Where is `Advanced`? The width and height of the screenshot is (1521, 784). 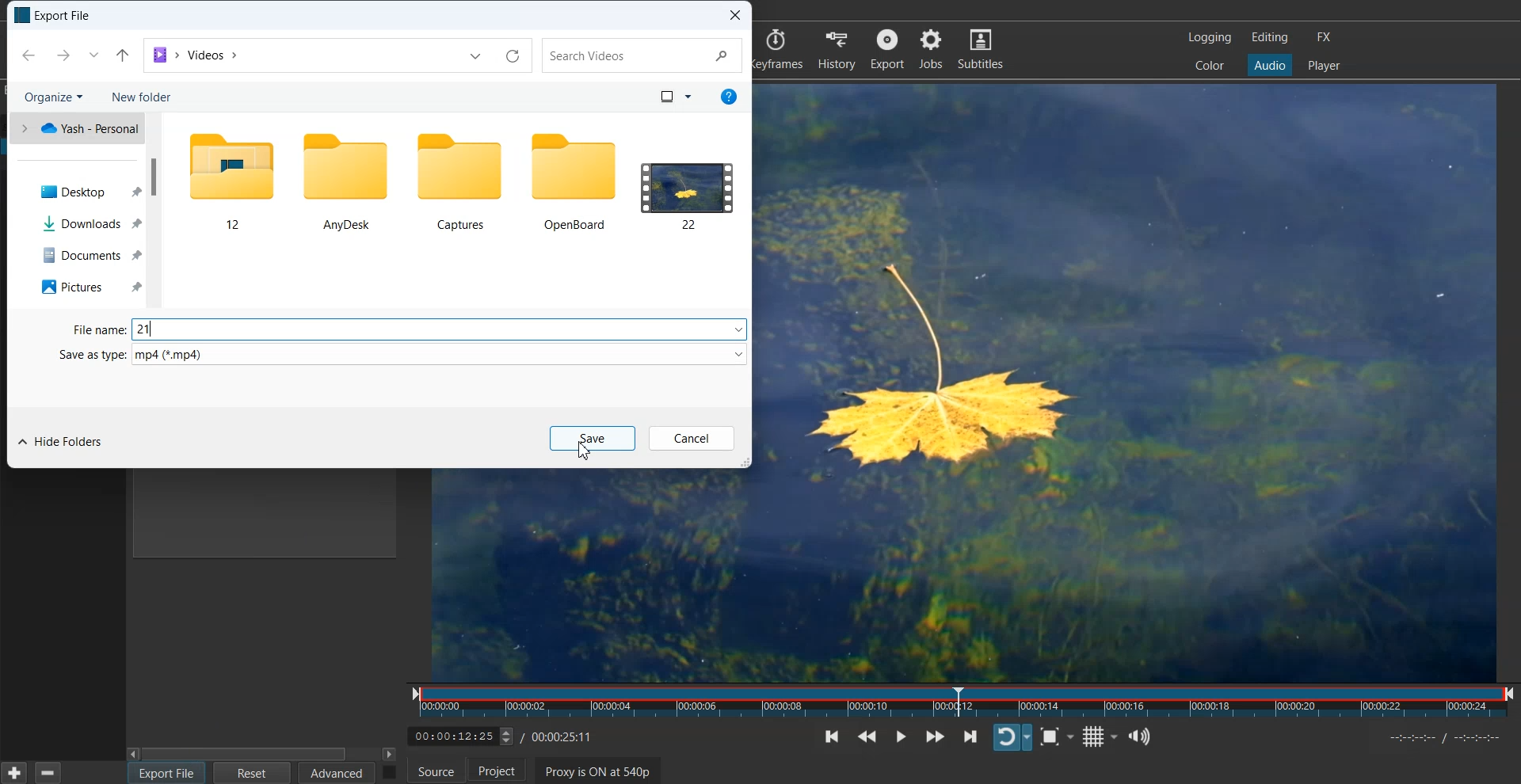
Advanced is located at coordinates (338, 773).